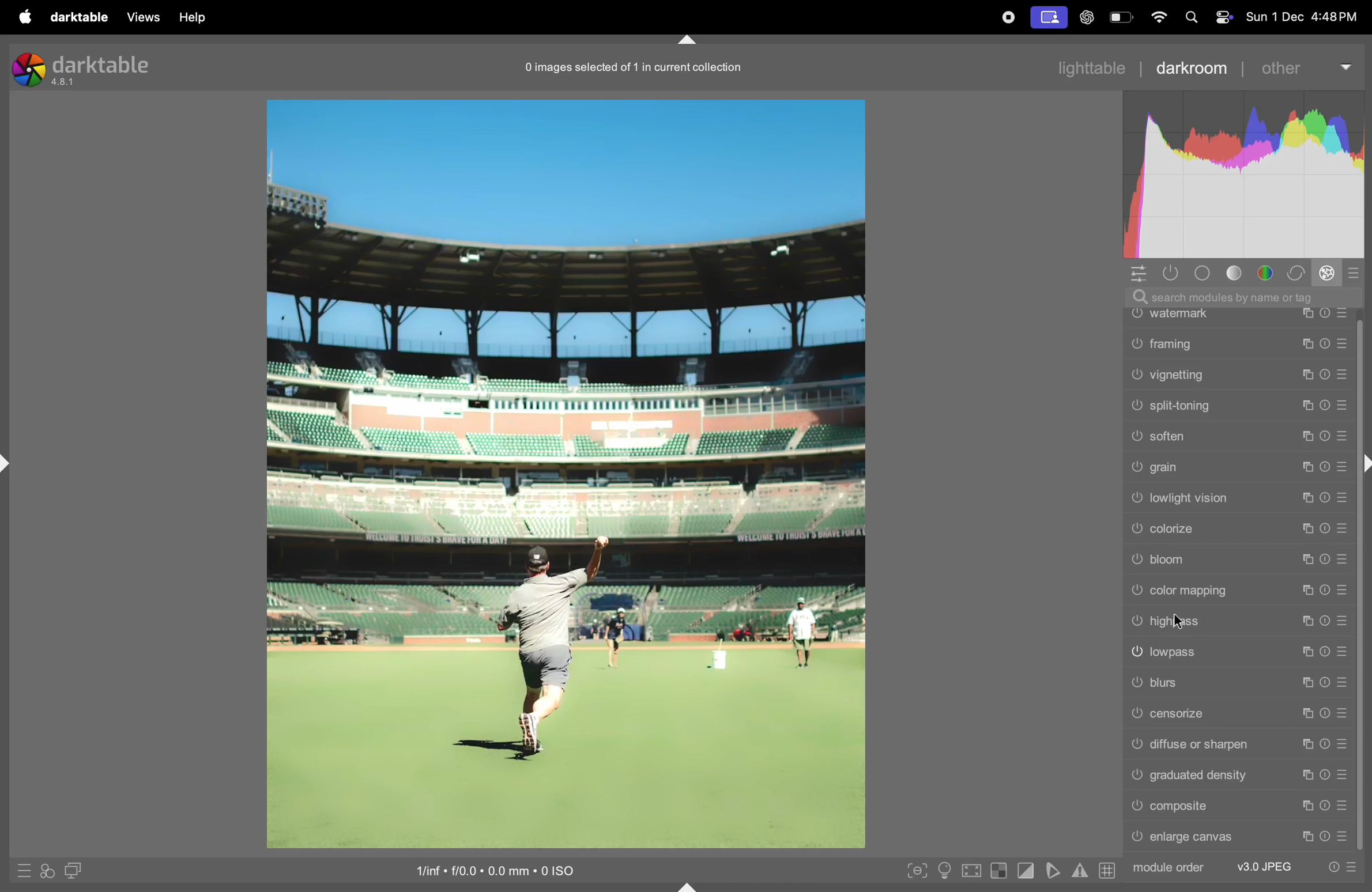 The image size is (1372, 892). Describe the element at coordinates (191, 17) in the screenshot. I see `help` at that location.